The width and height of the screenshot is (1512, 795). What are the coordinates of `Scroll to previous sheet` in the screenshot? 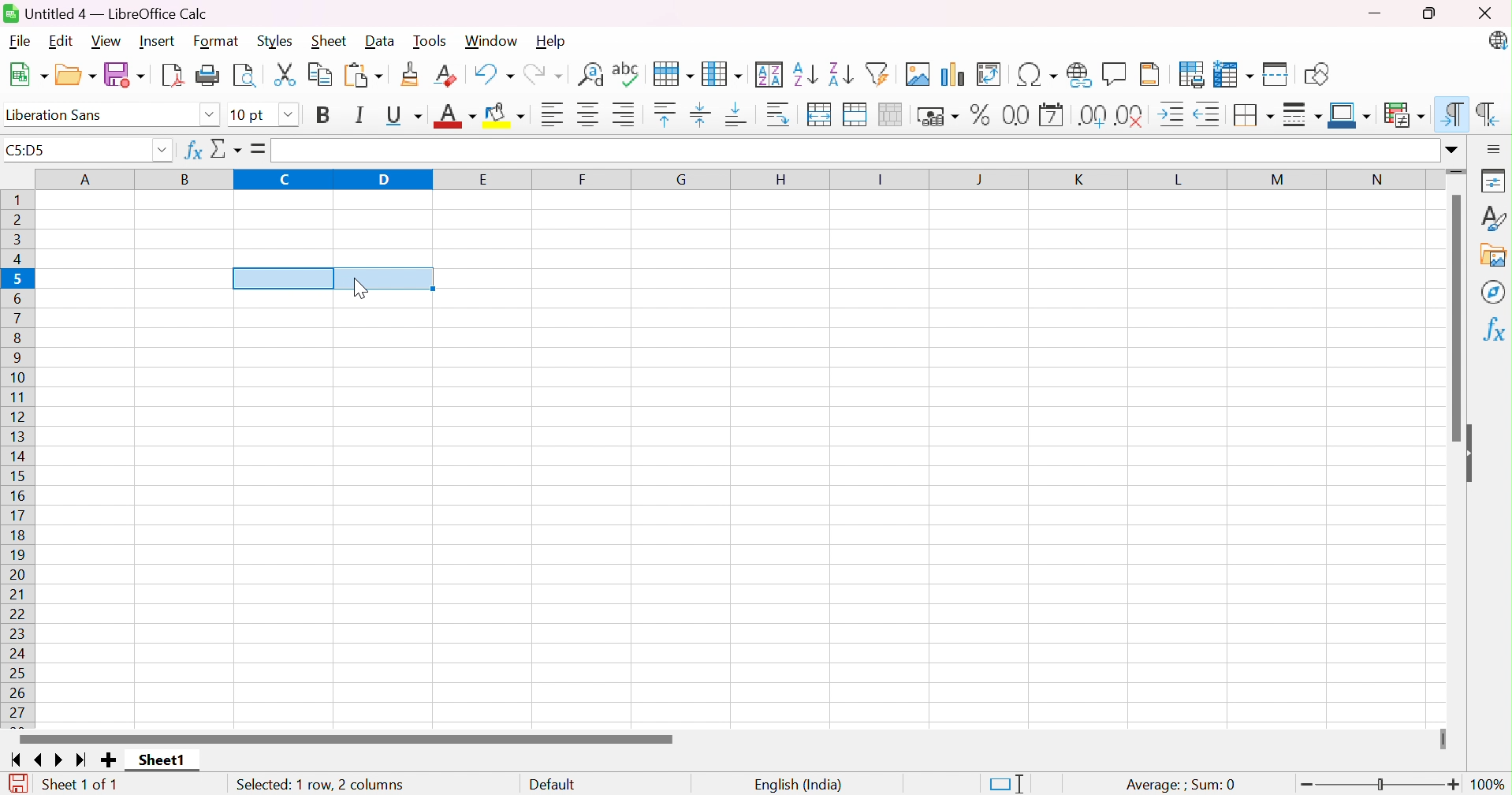 It's located at (40, 762).